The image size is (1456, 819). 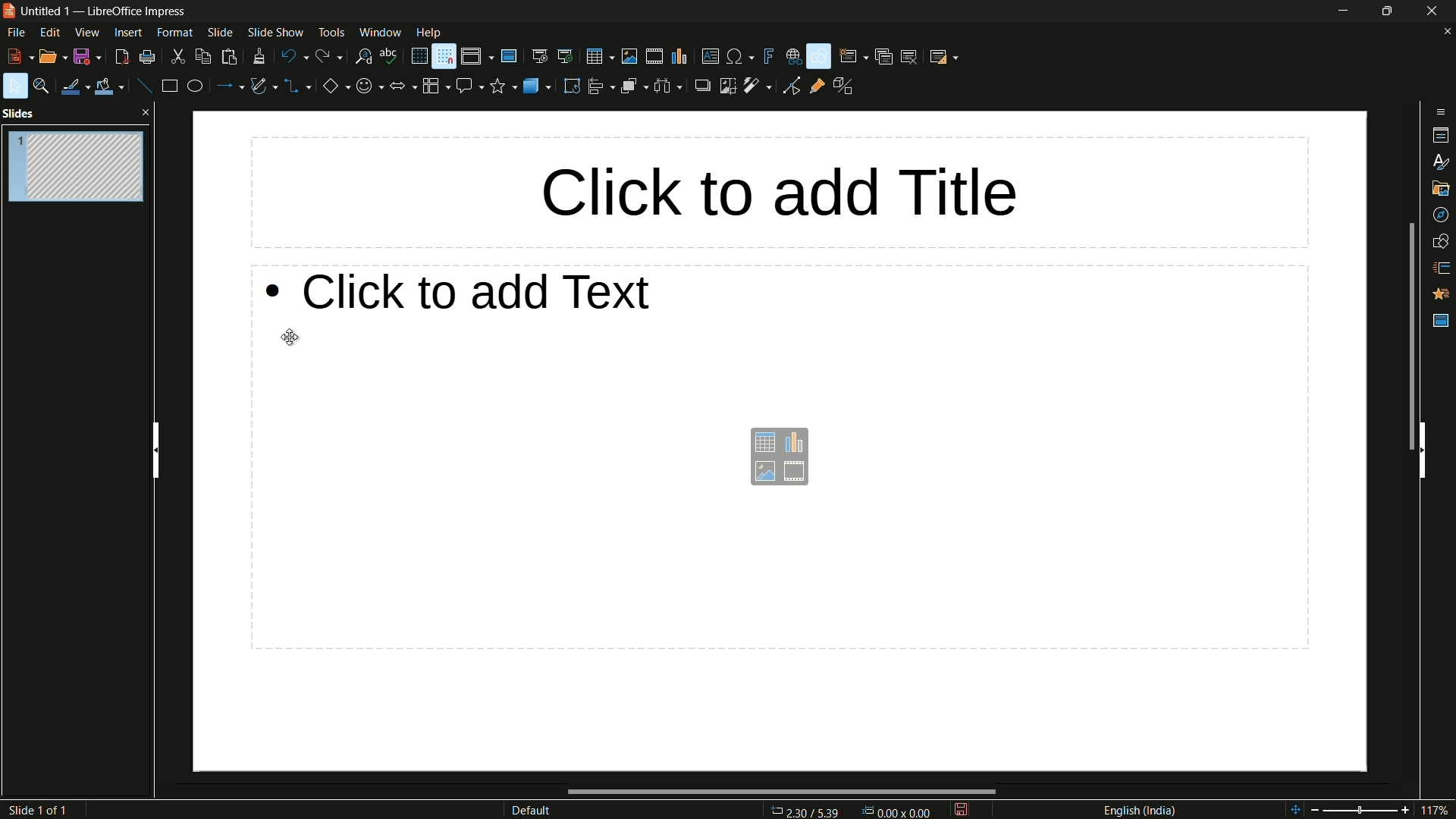 What do you see at coordinates (768, 55) in the screenshot?
I see `insert fontwork text` at bounding box center [768, 55].